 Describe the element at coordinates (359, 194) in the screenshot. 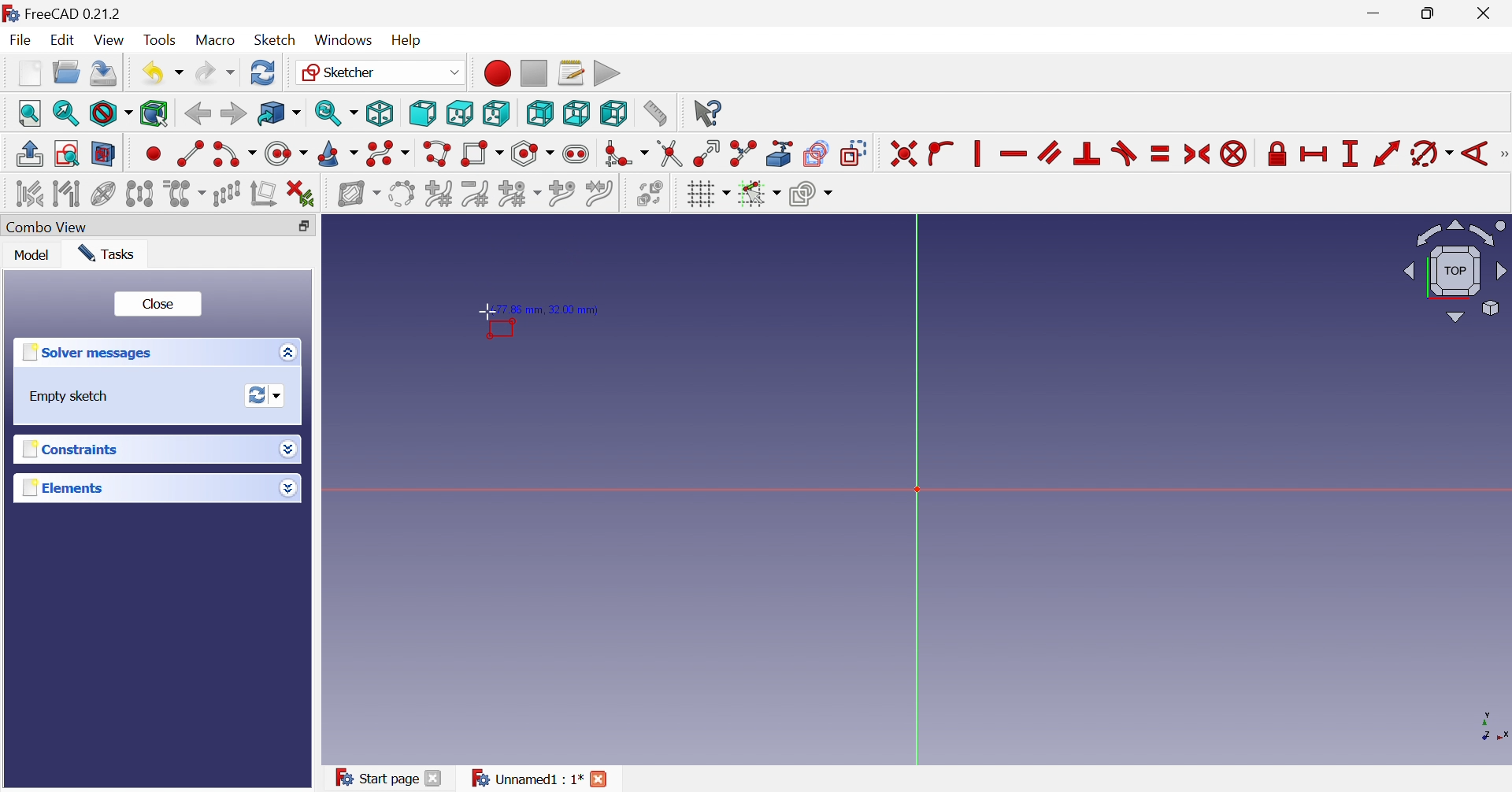

I see `Show/hide B-spline information layer` at that location.